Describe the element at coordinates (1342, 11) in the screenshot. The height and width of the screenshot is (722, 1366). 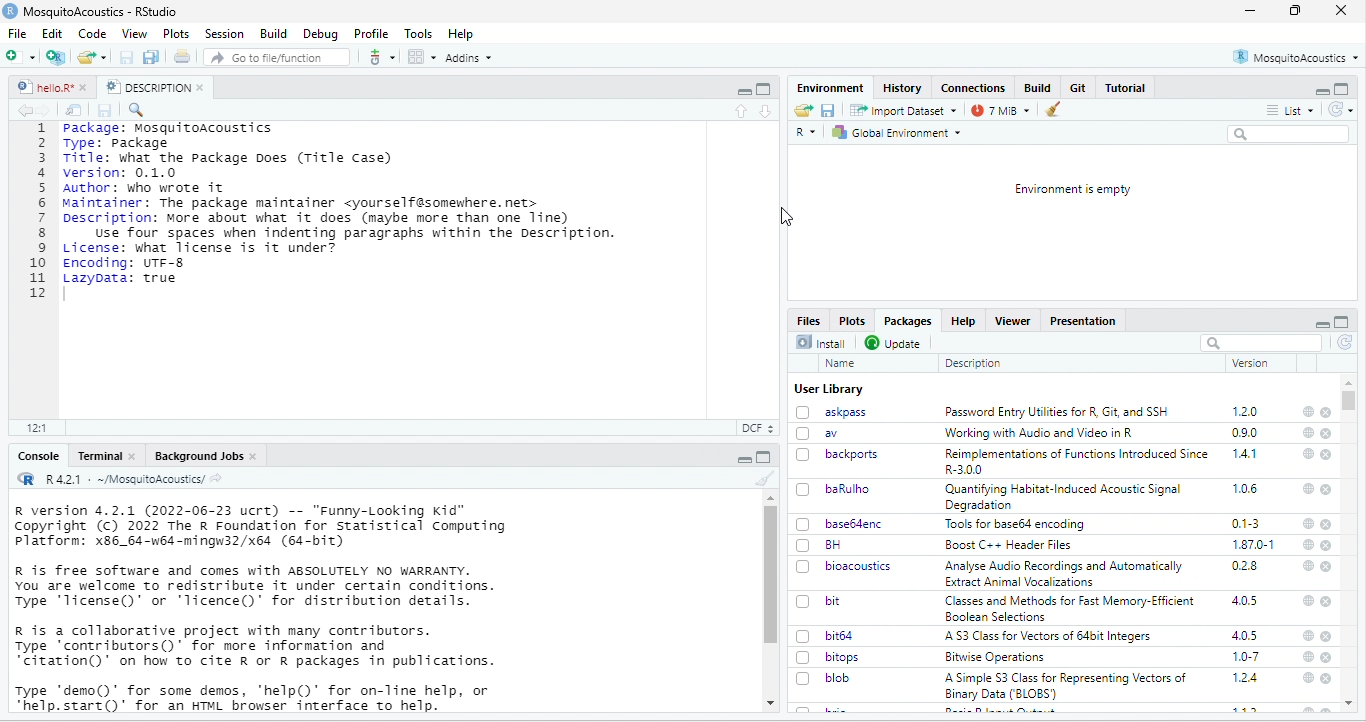
I see `close` at that location.